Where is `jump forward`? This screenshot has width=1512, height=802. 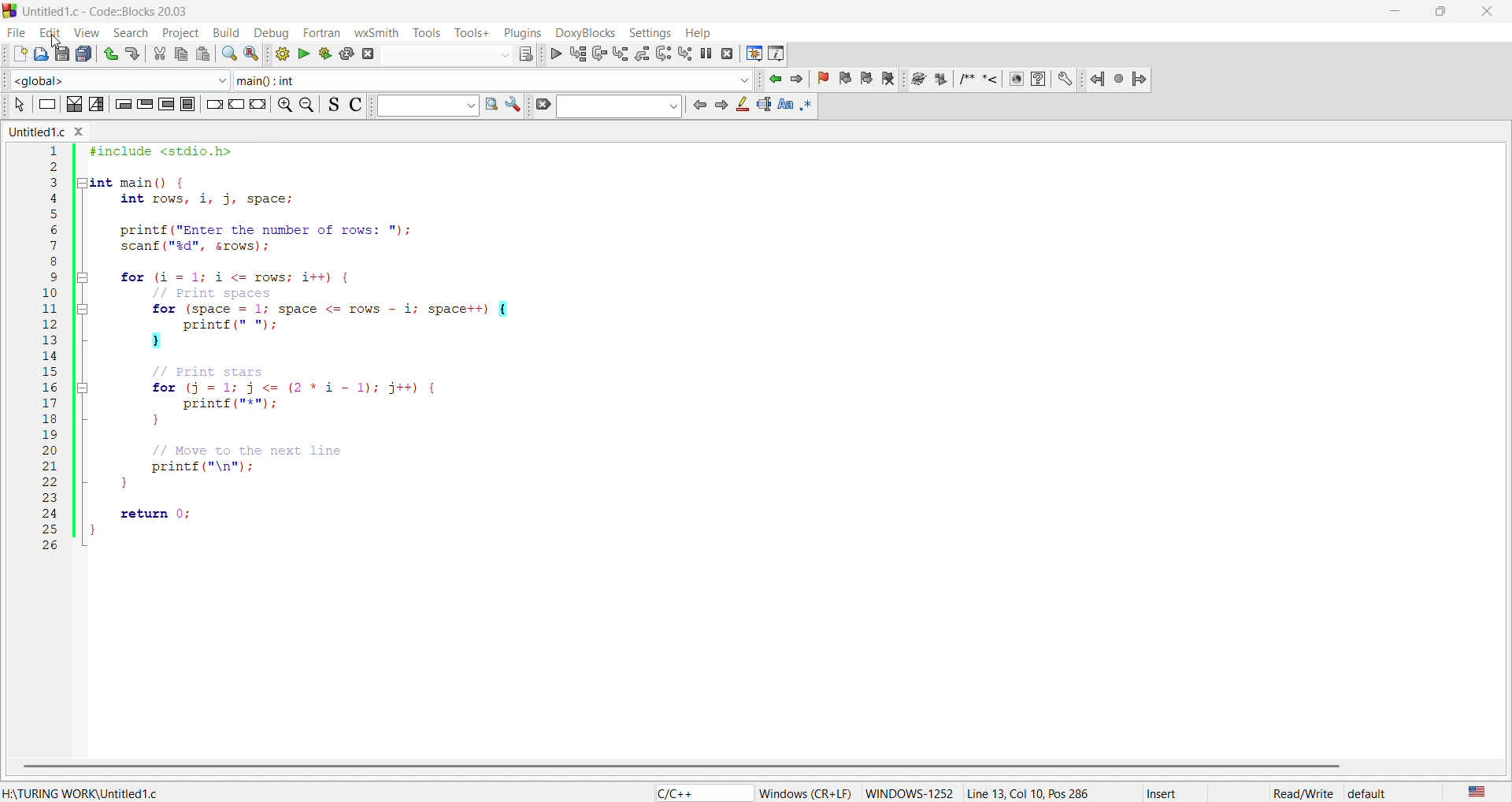
jump forward is located at coordinates (797, 79).